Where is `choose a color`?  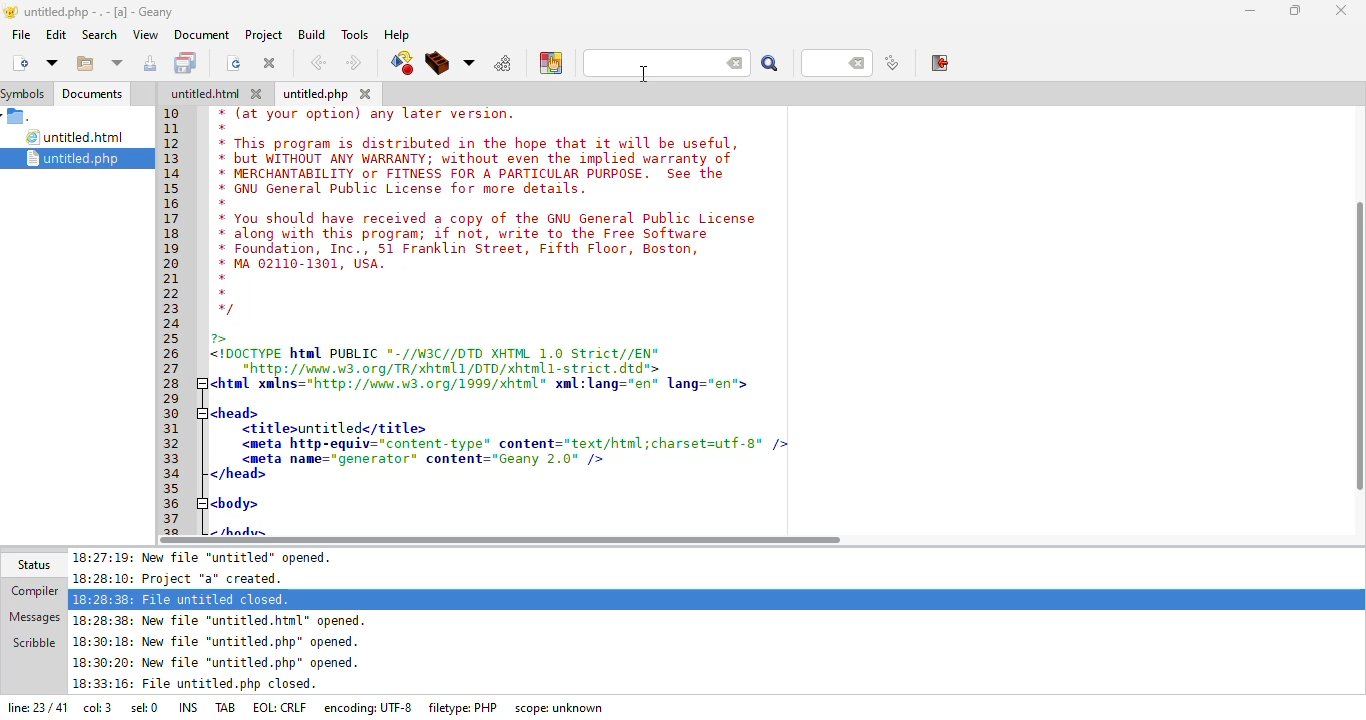
choose a color is located at coordinates (551, 62).